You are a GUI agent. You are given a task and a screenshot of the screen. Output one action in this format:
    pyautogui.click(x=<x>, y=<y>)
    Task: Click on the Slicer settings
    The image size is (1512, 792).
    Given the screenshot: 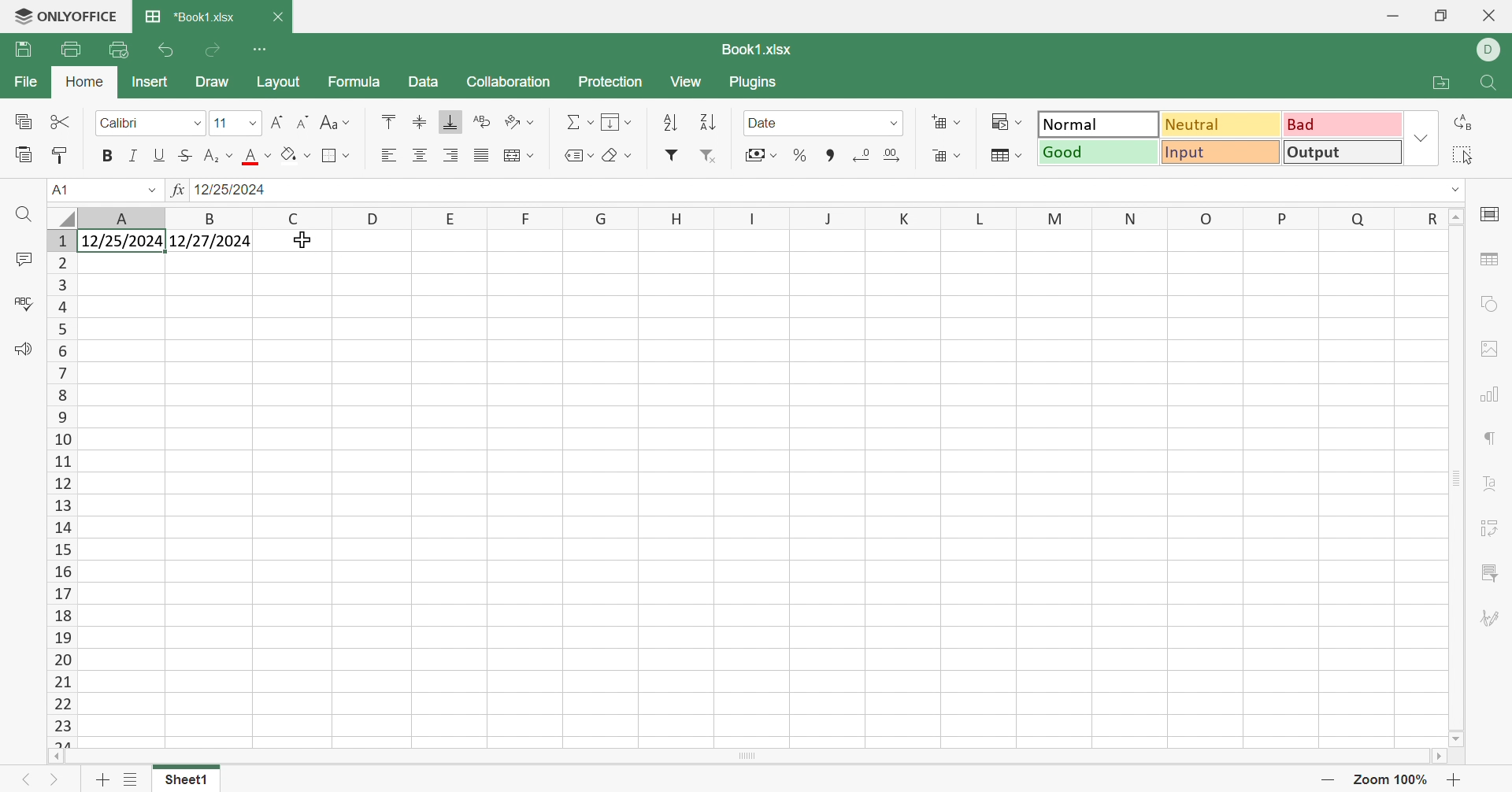 What is the action you would take?
    pyautogui.click(x=1488, y=572)
    